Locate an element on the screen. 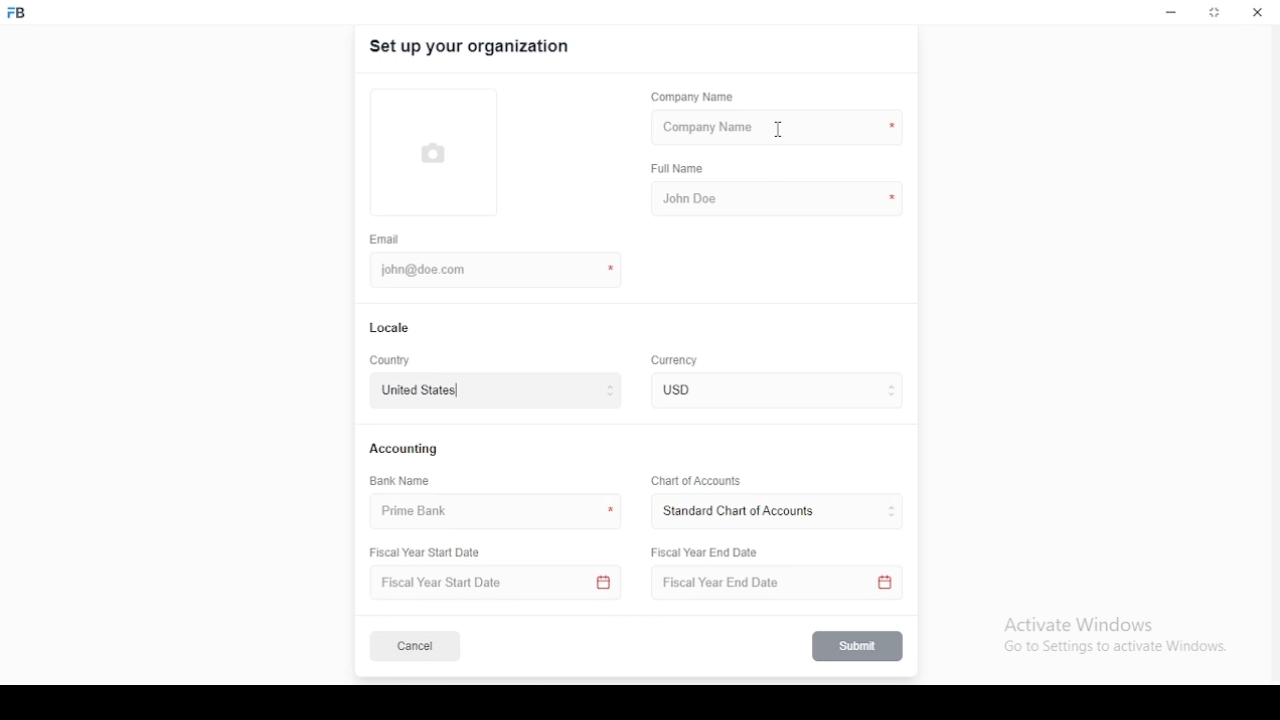 This screenshot has height=720, width=1280. bank name is located at coordinates (401, 481).